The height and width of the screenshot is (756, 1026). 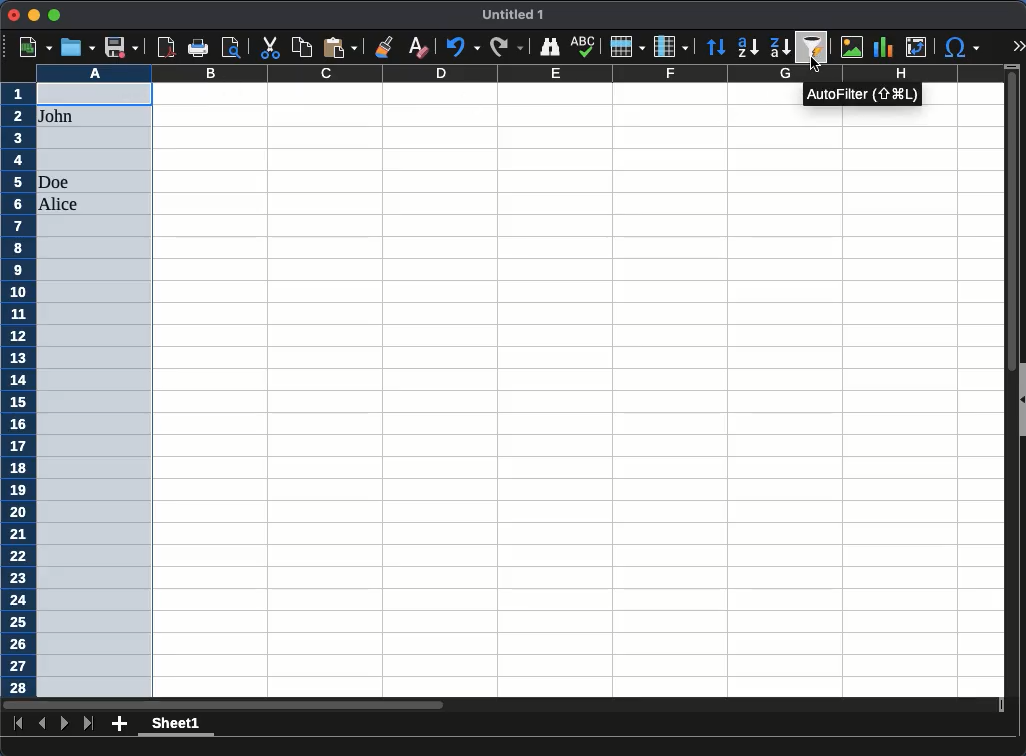 What do you see at coordinates (585, 46) in the screenshot?
I see `spell check` at bounding box center [585, 46].